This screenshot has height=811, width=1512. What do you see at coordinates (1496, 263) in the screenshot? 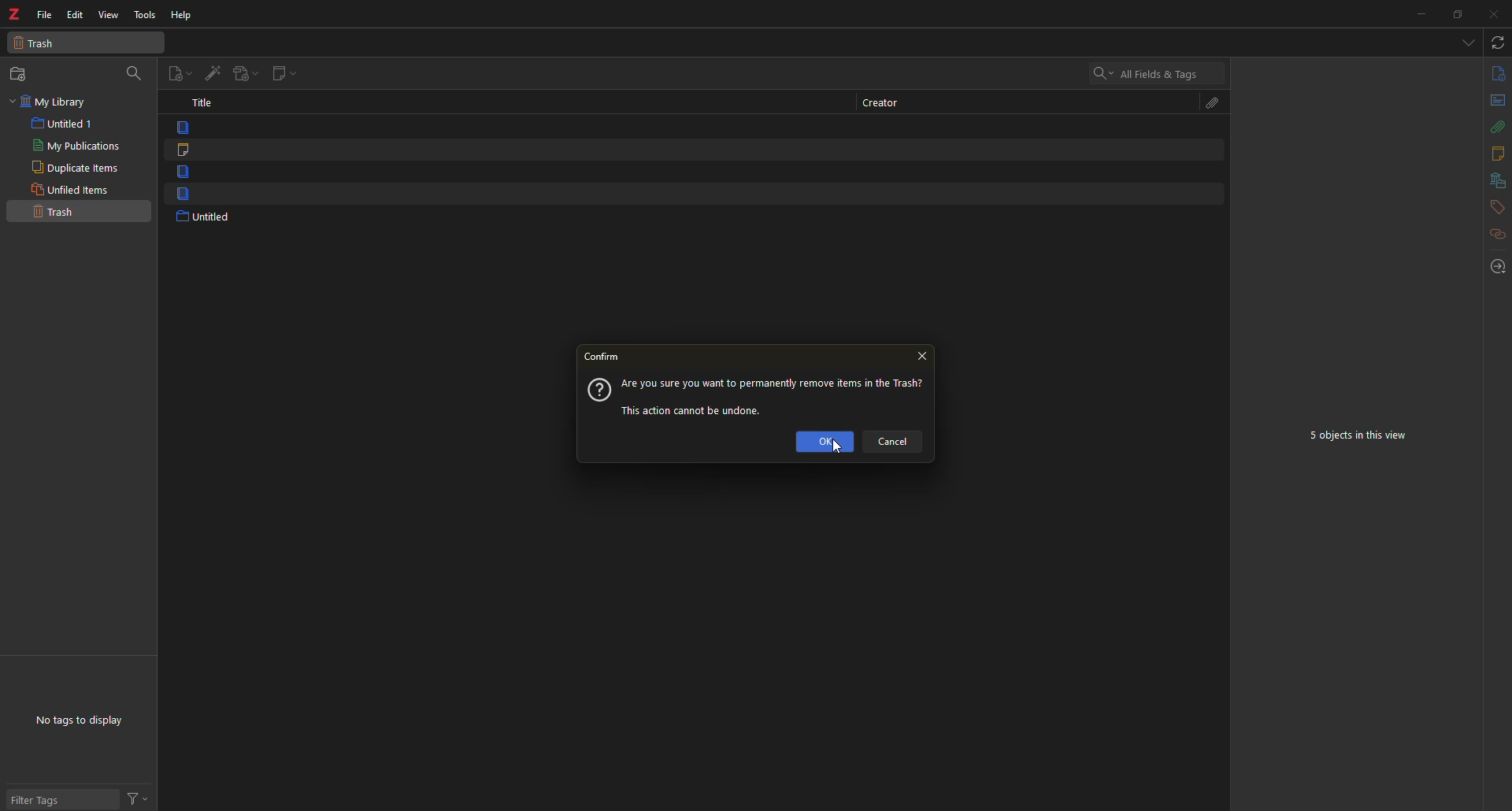
I see `locate` at bounding box center [1496, 263].